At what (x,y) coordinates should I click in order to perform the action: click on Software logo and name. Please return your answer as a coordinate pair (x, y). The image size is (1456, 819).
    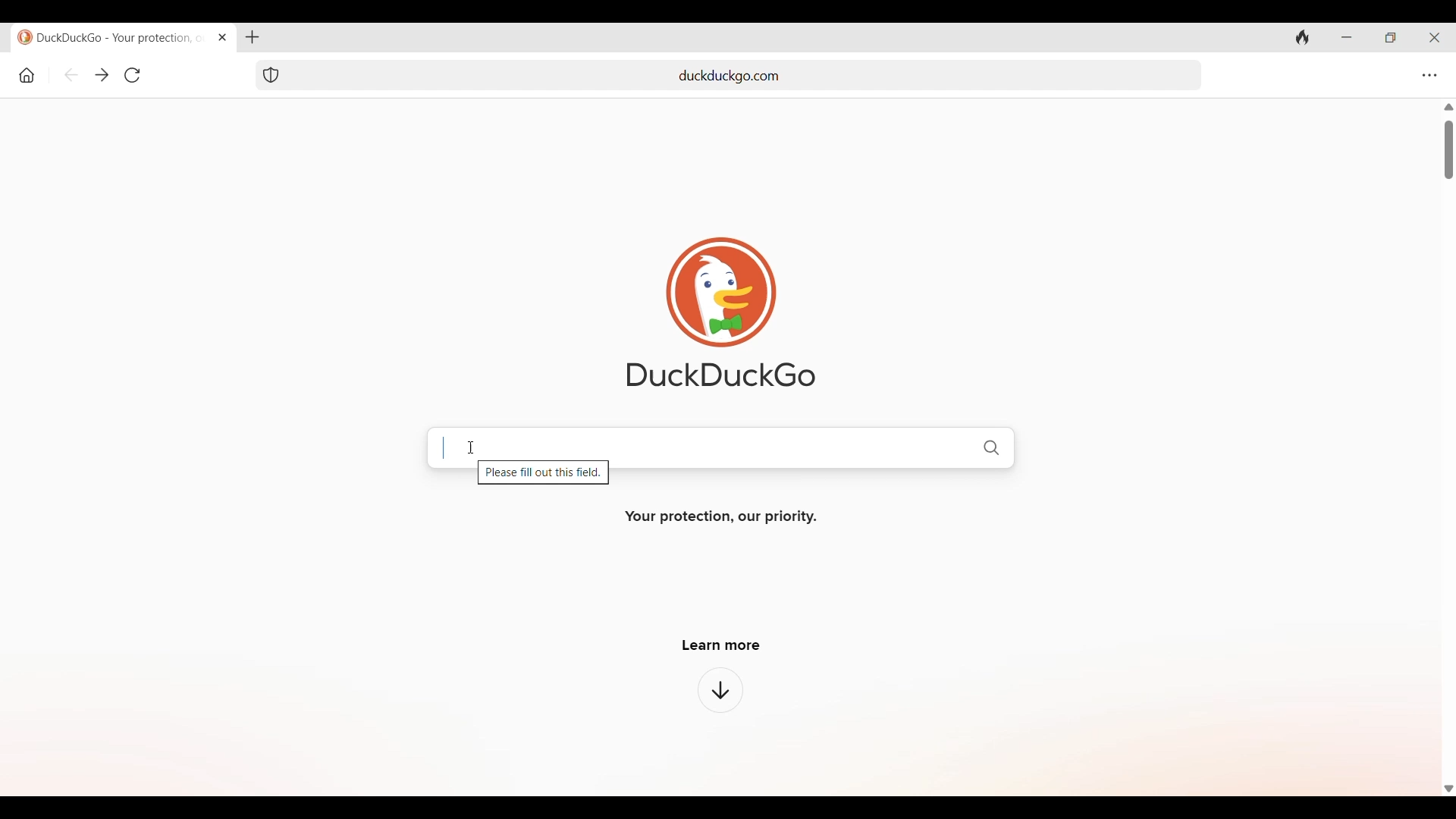
    Looking at the image, I should click on (721, 312).